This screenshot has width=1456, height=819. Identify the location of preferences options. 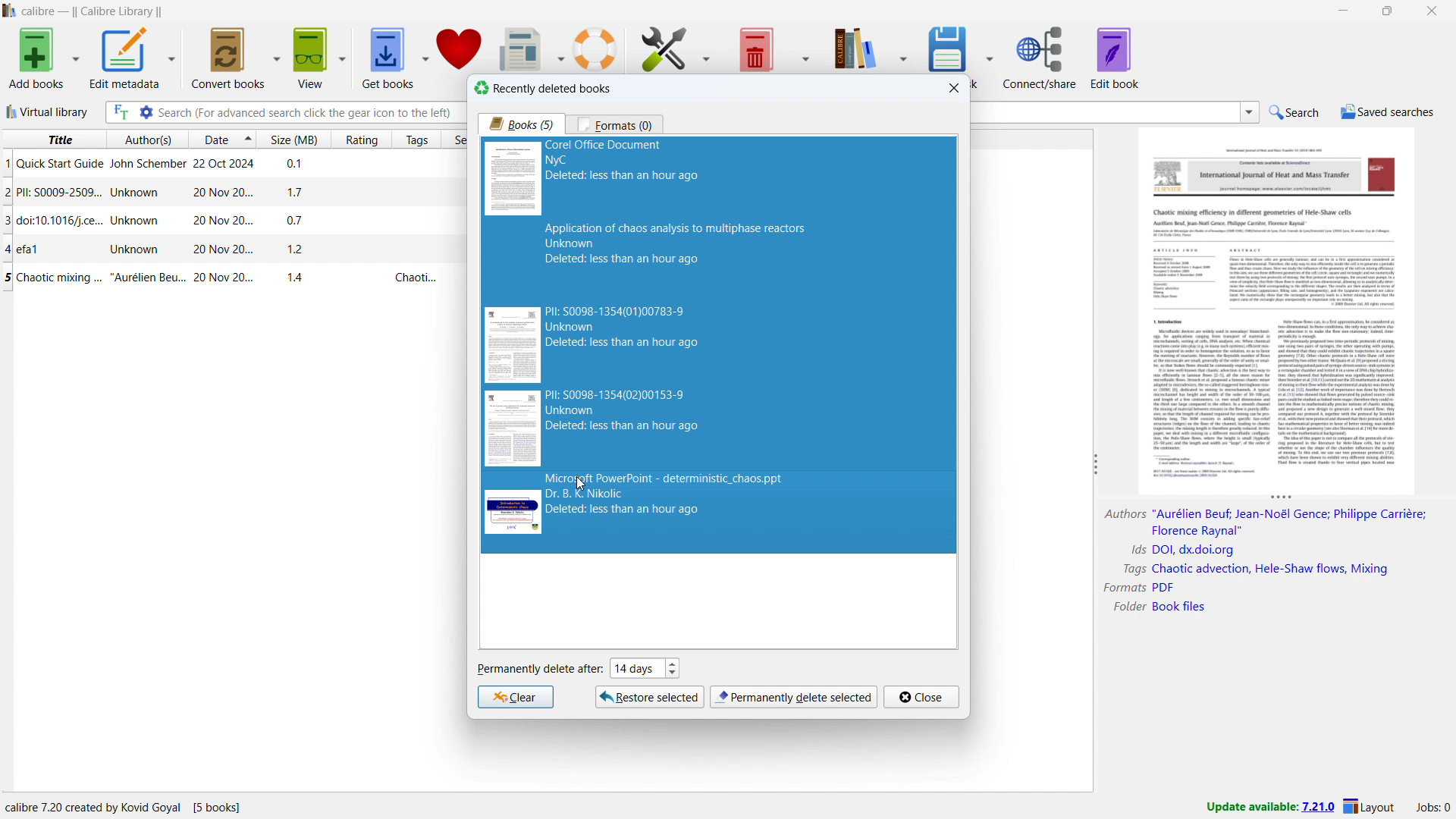
(710, 47).